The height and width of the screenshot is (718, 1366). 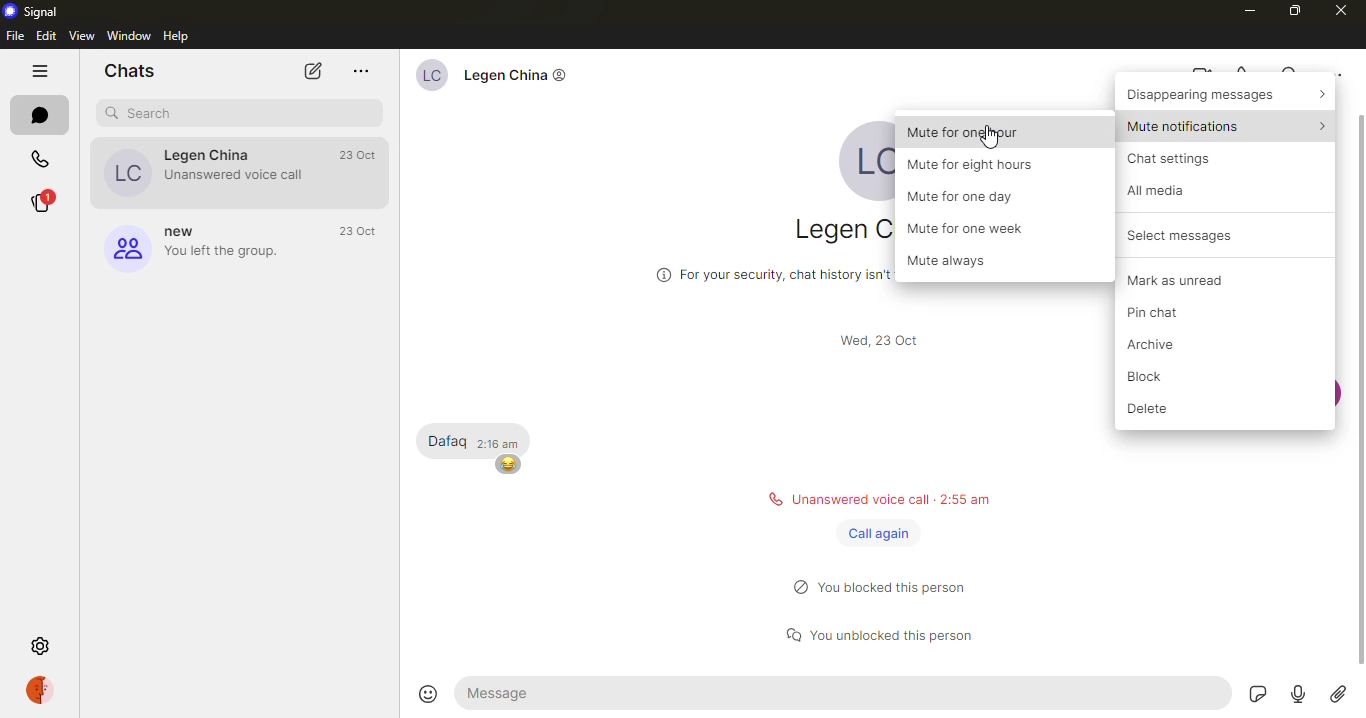 I want to click on time, so click(x=502, y=443).